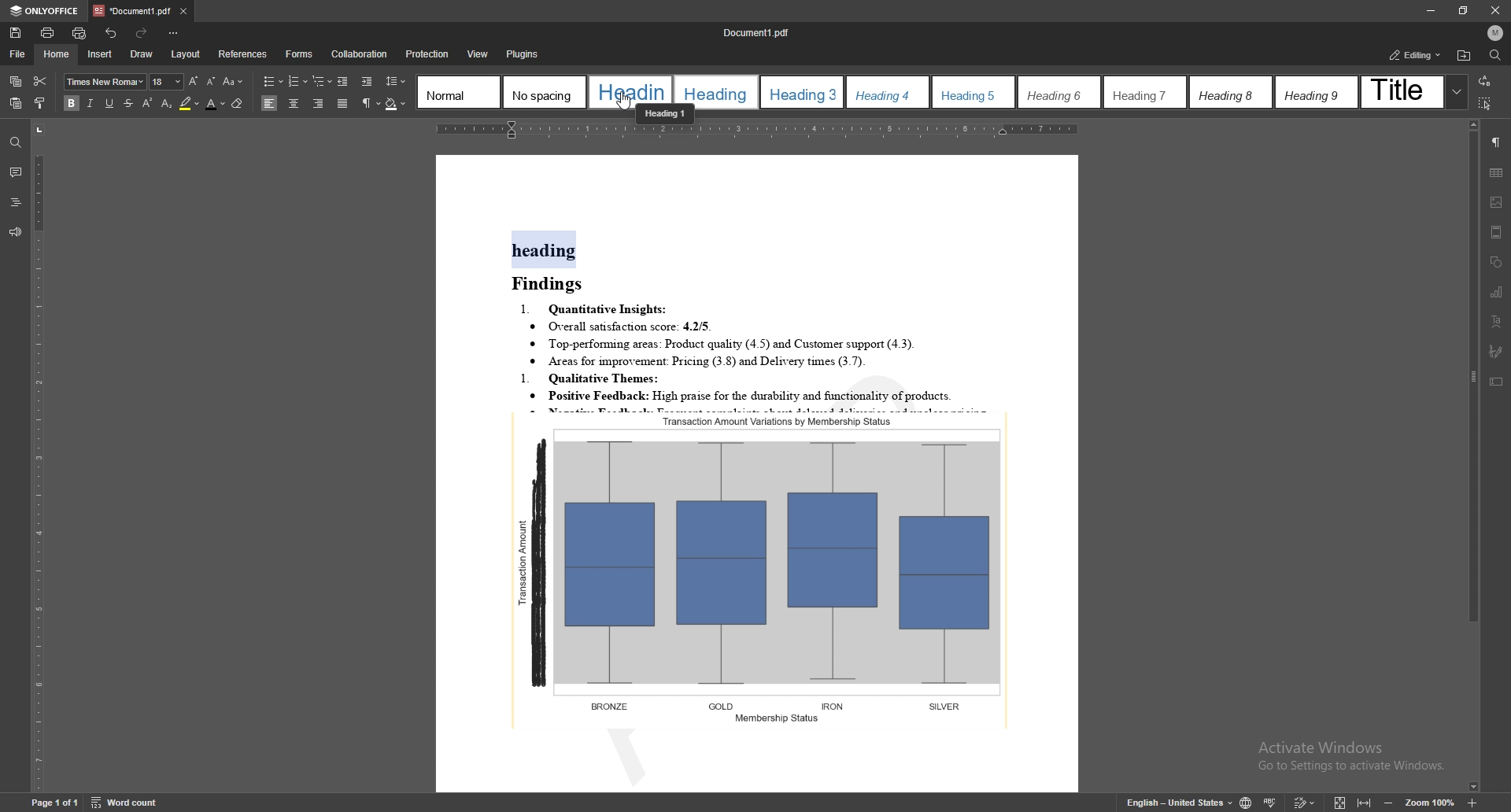  What do you see at coordinates (1432, 804) in the screenshot?
I see `zoom 100%` at bounding box center [1432, 804].